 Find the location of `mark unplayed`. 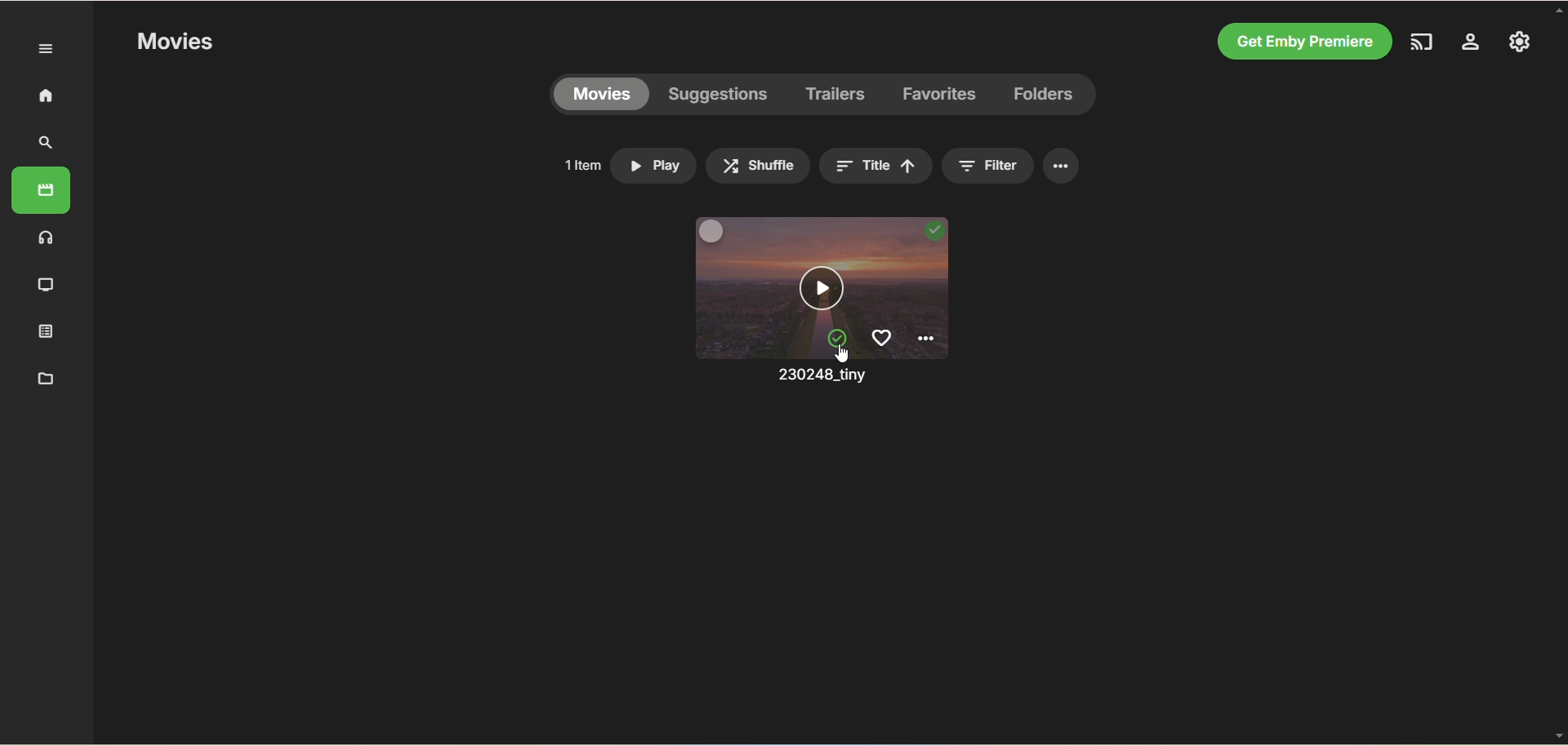

mark unplayed is located at coordinates (835, 337).